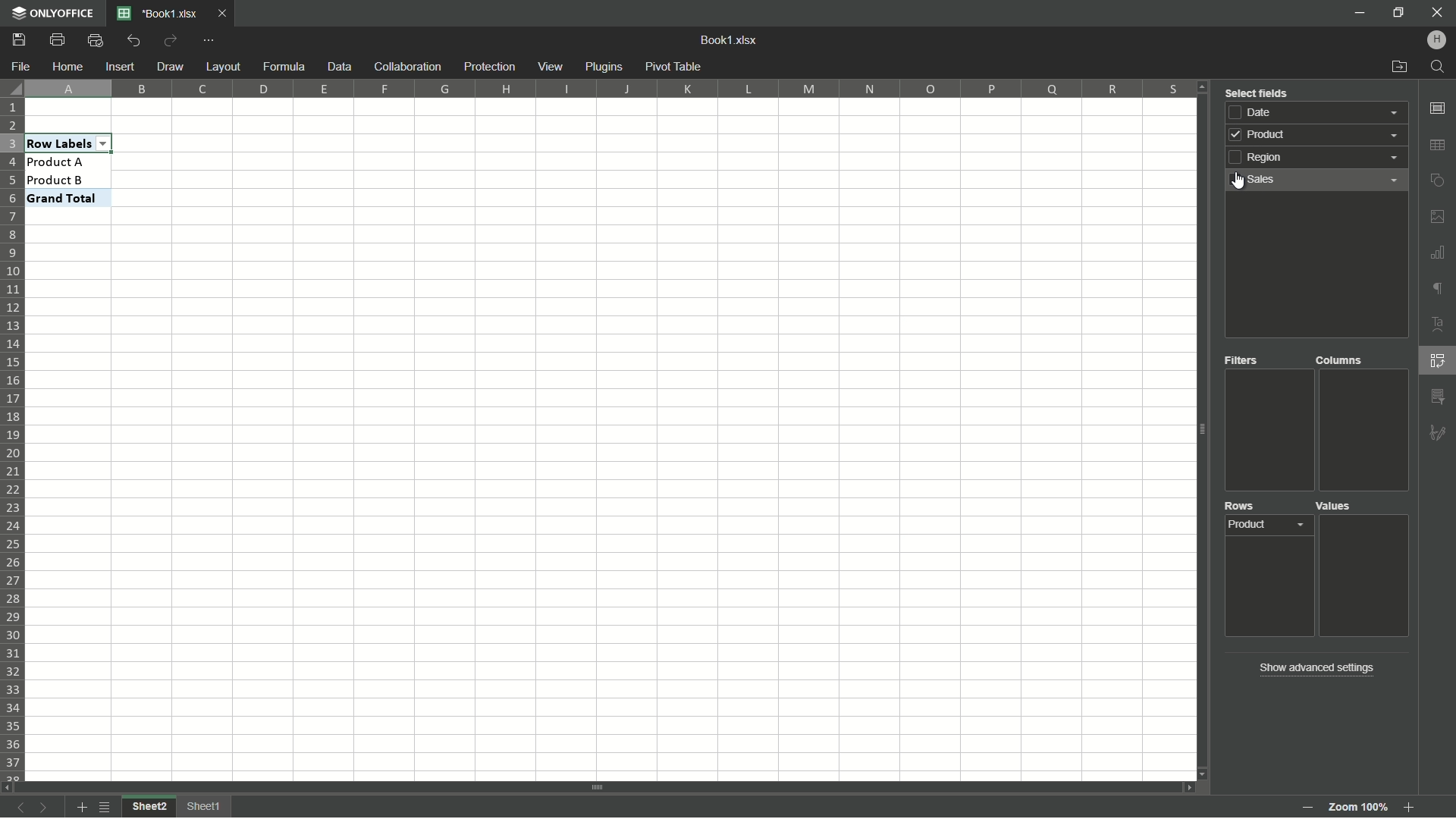 Image resolution: width=1456 pixels, height=819 pixels. I want to click on Product, so click(1271, 527).